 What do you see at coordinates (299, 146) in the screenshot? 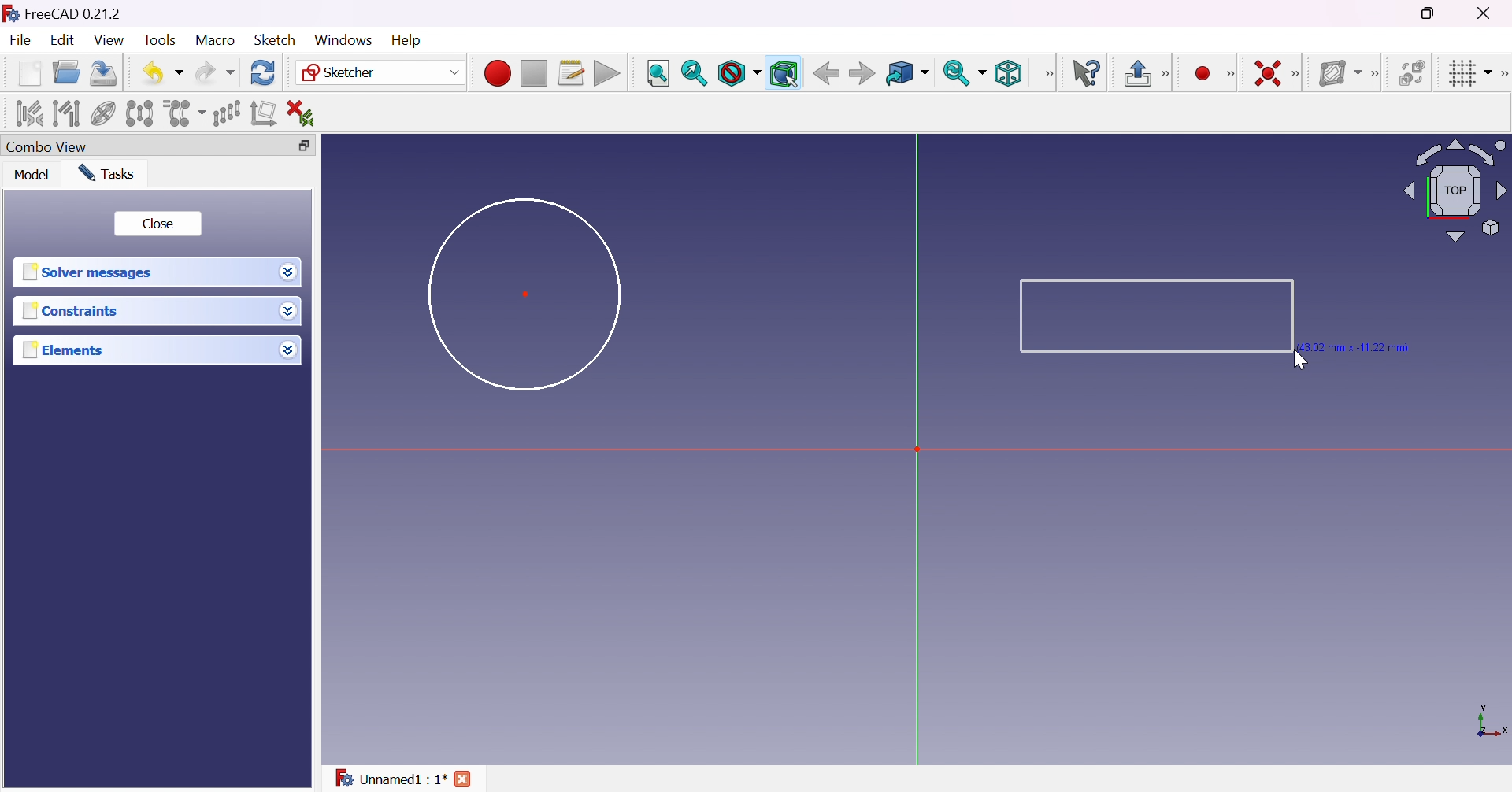
I see `Restore down` at bounding box center [299, 146].